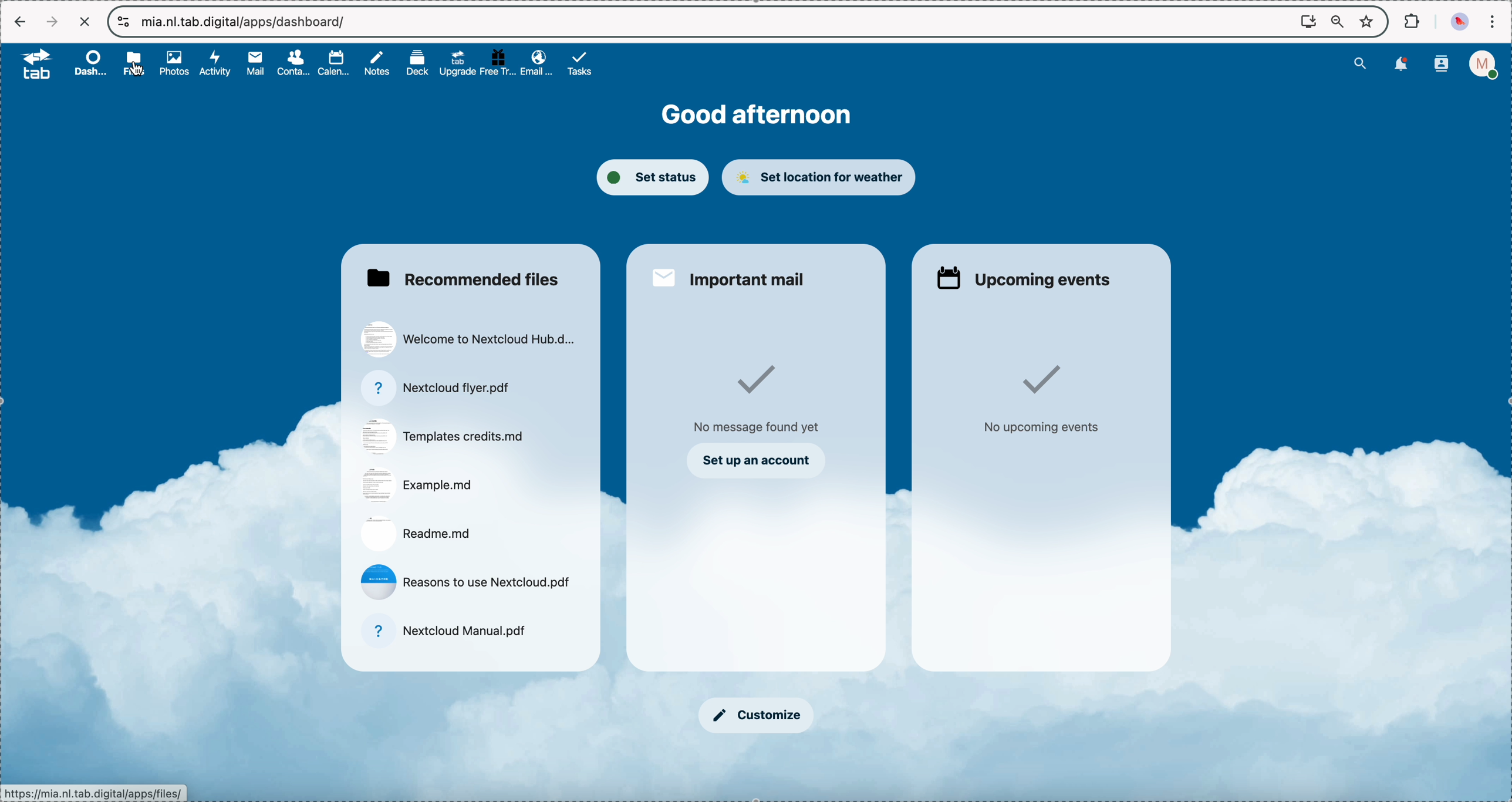 This screenshot has width=1512, height=802. Describe the element at coordinates (140, 75) in the screenshot. I see `cursor` at that location.